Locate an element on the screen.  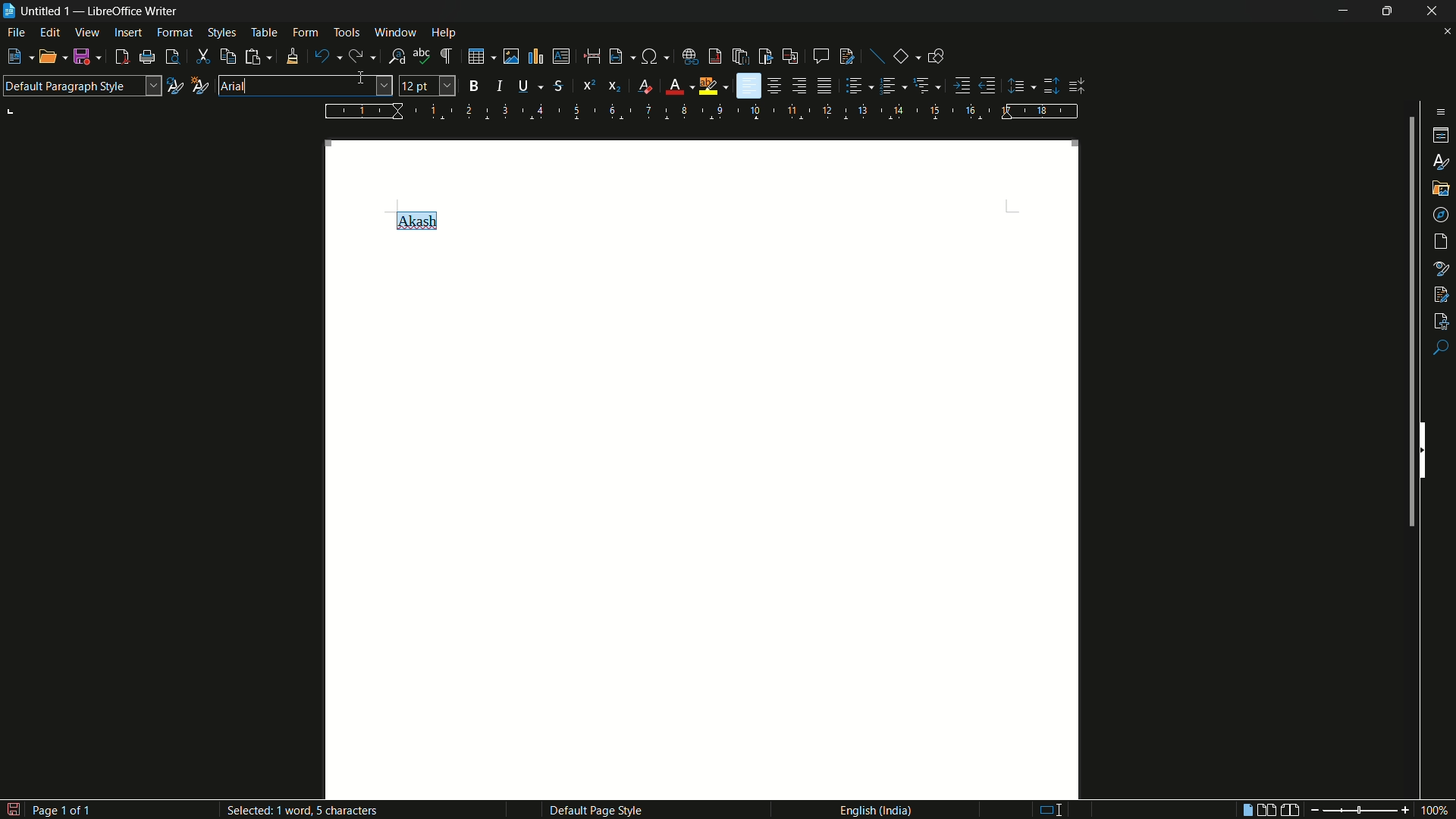
format menu is located at coordinates (174, 32).